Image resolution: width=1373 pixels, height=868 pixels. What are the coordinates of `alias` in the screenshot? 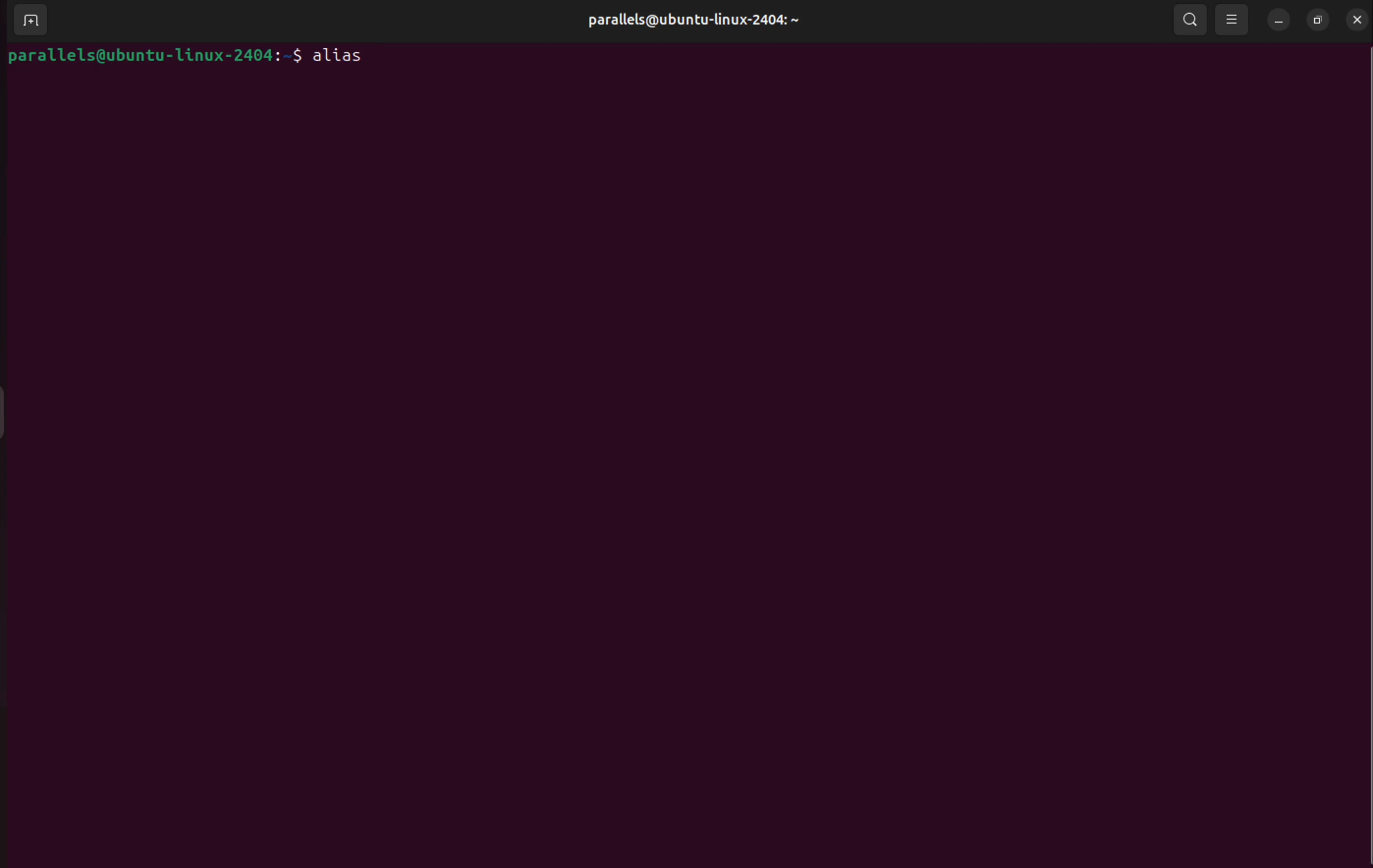 It's located at (338, 56).